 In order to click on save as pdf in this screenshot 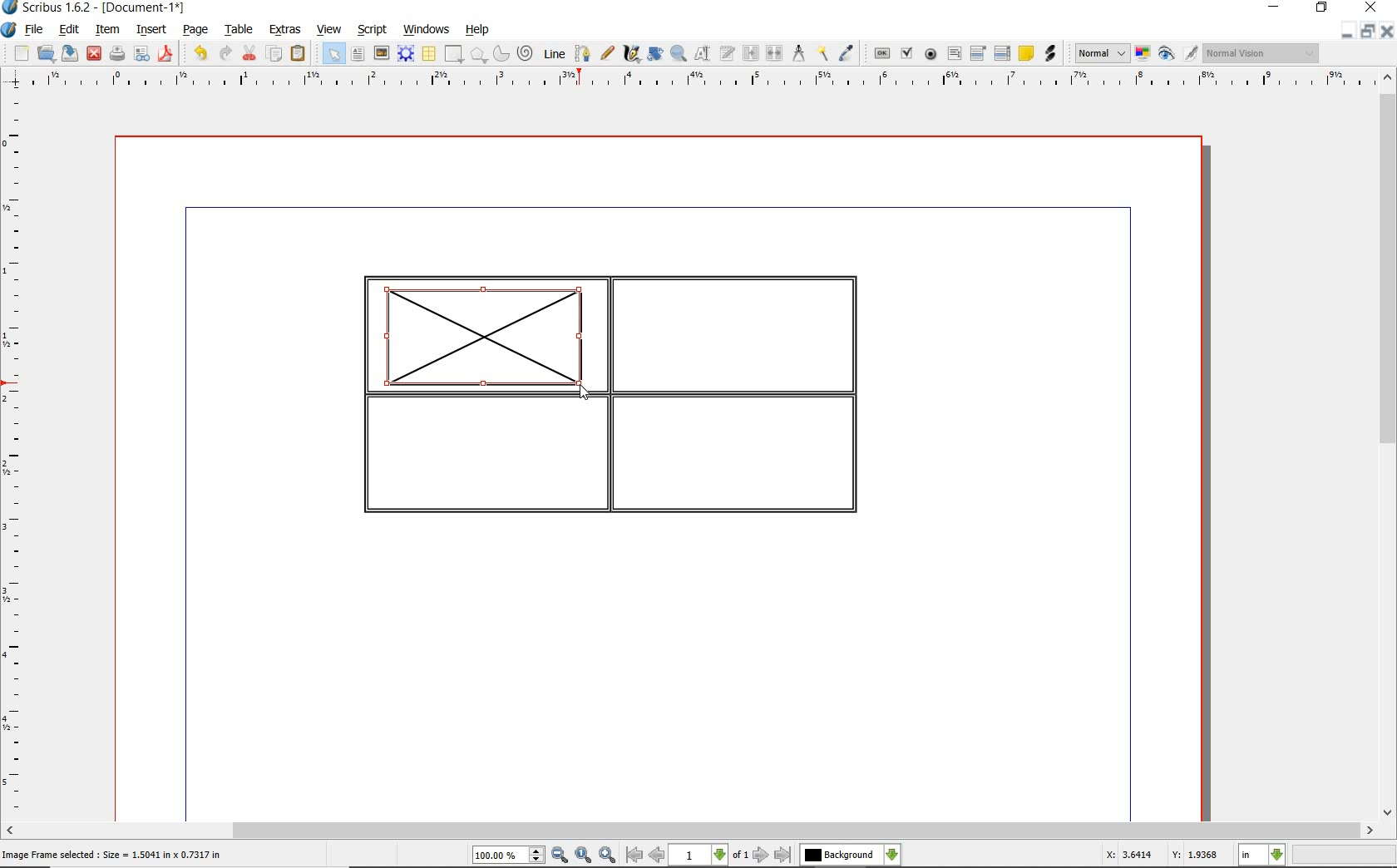, I will do `click(165, 53)`.